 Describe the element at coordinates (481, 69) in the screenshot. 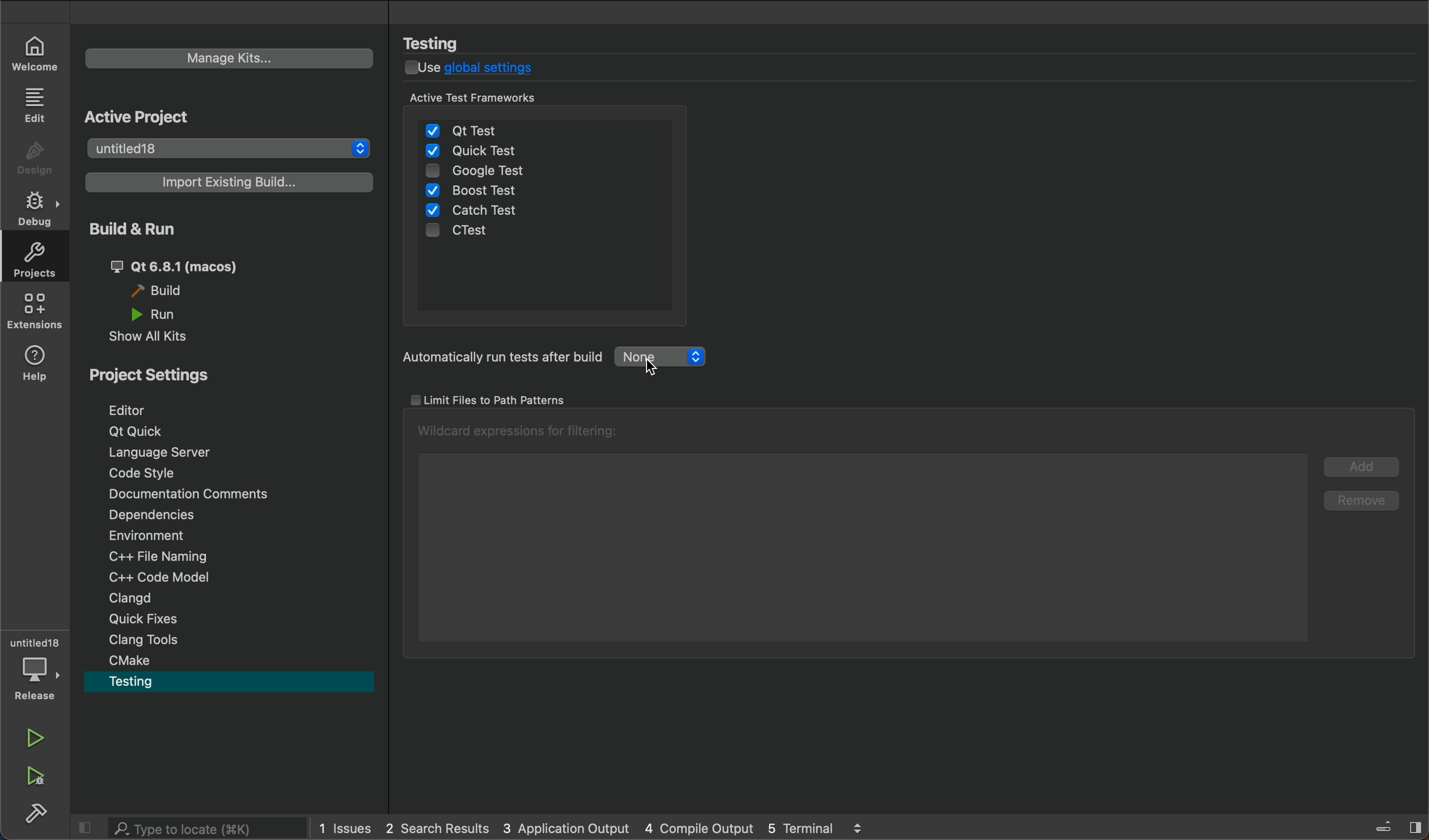

I see `use global setting ` at that location.